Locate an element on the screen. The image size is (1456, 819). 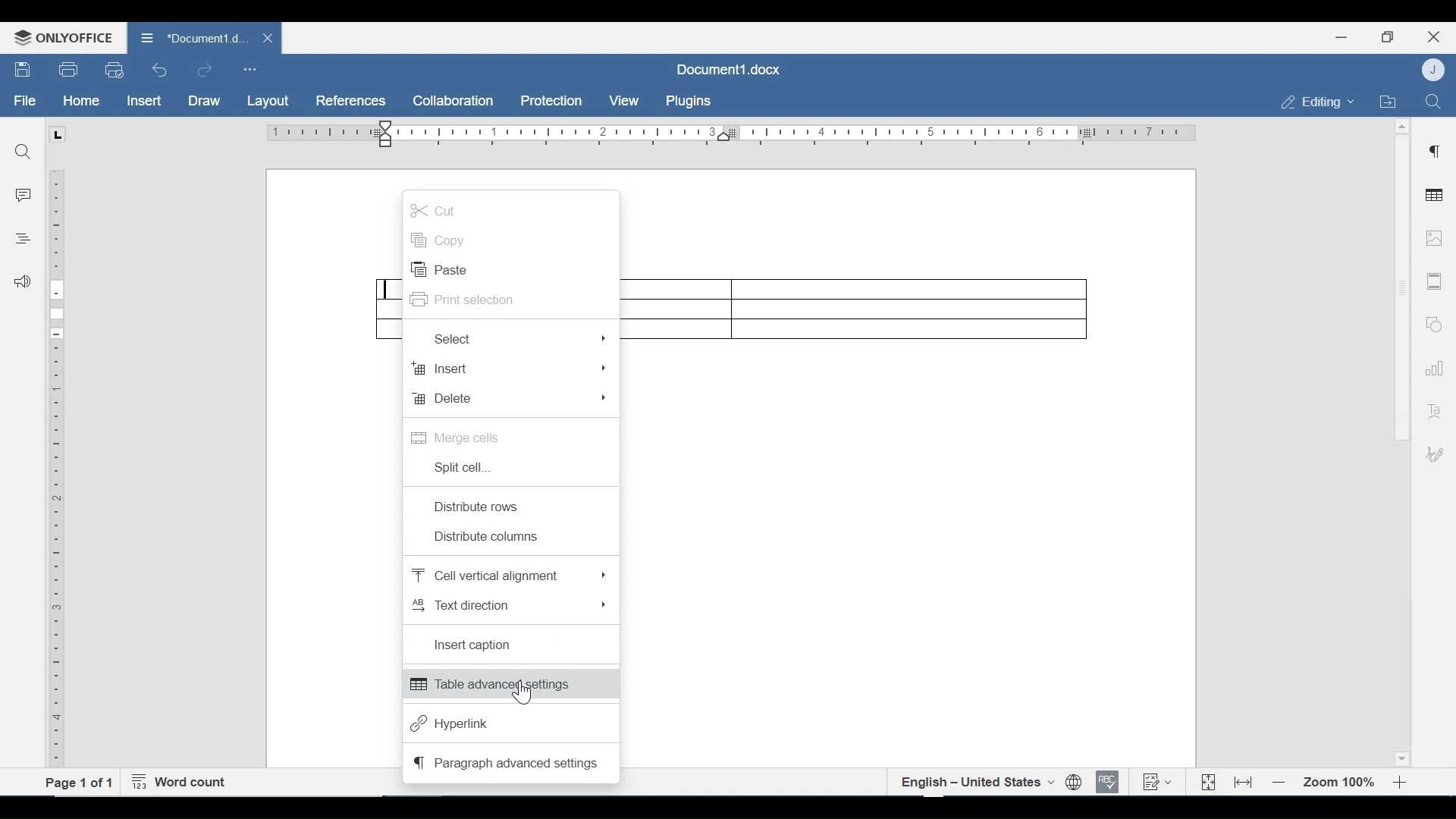
*Document1.docx is located at coordinates (193, 36).